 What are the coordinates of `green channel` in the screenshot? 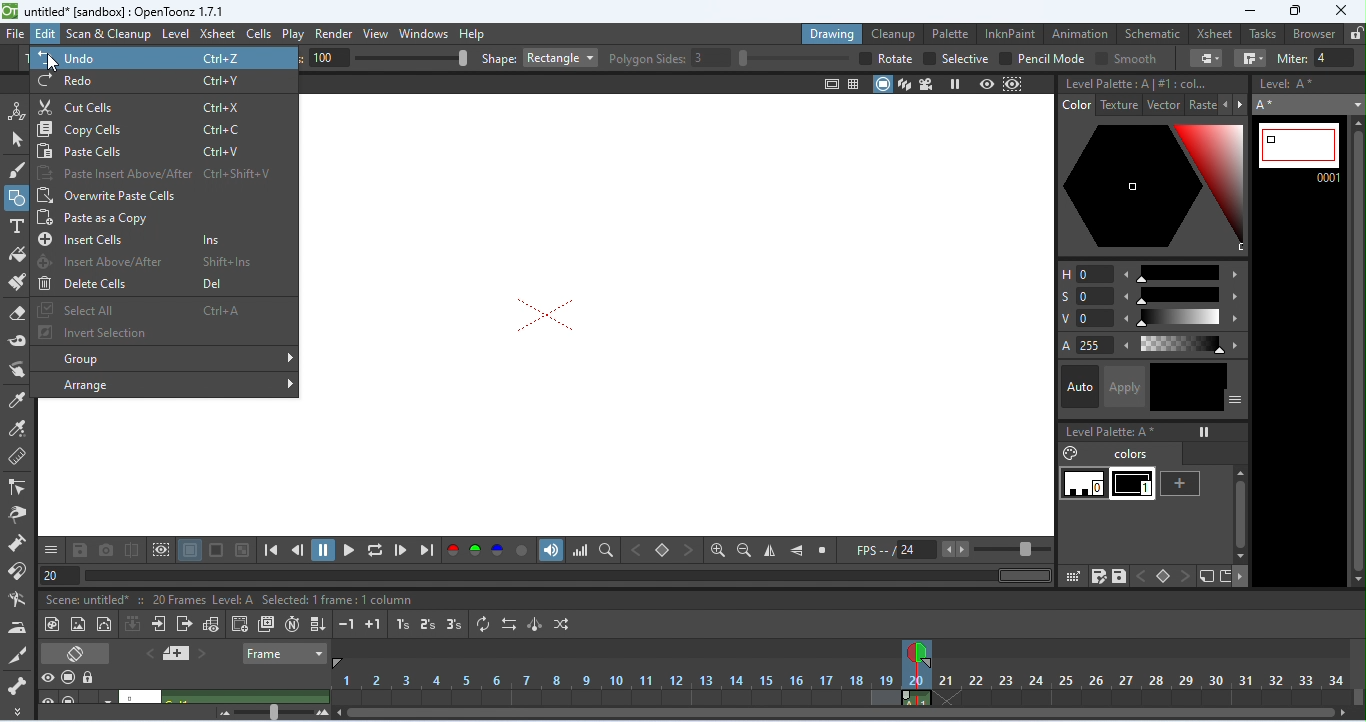 It's located at (473, 551).